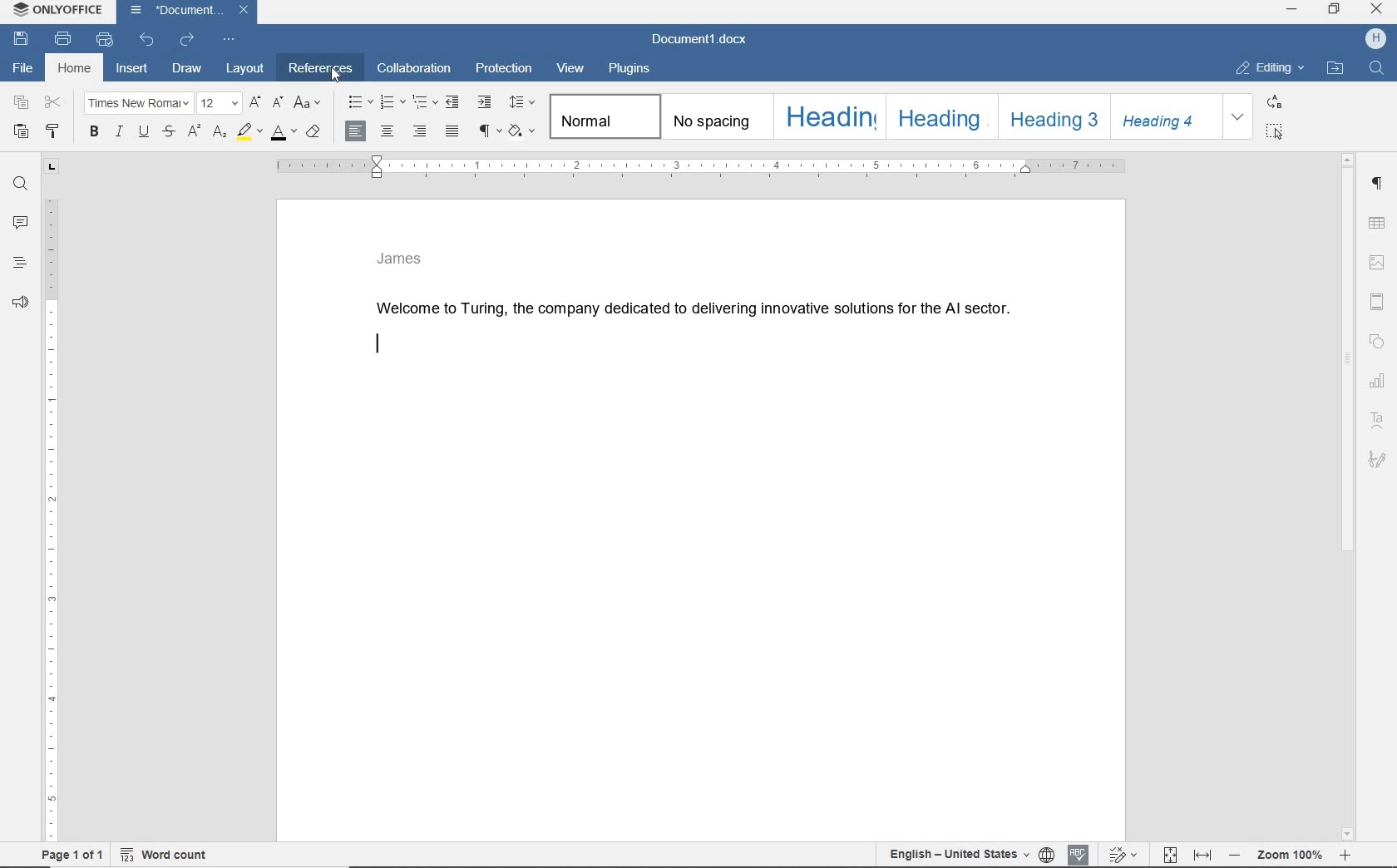 The width and height of the screenshot is (1397, 868). Describe the element at coordinates (220, 104) in the screenshot. I see `font size` at that location.